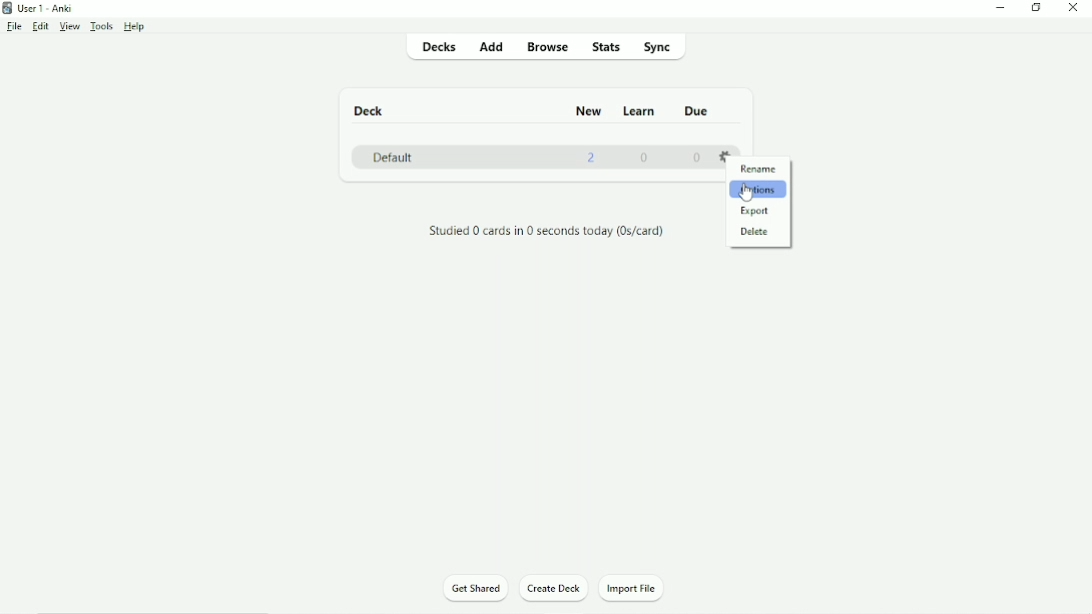  What do you see at coordinates (494, 47) in the screenshot?
I see `Add` at bounding box center [494, 47].